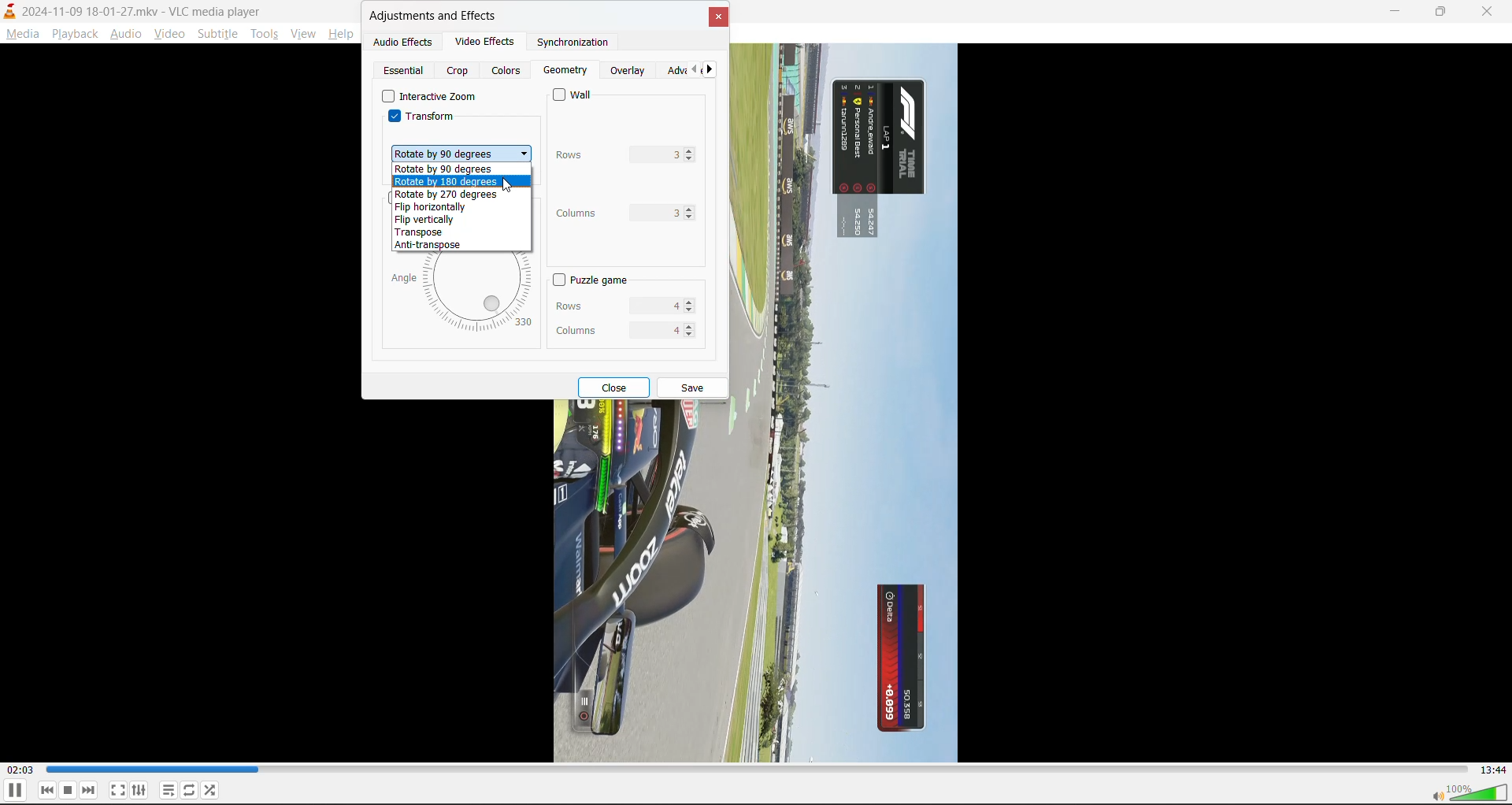  Describe the element at coordinates (506, 72) in the screenshot. I see `colors` at that location.